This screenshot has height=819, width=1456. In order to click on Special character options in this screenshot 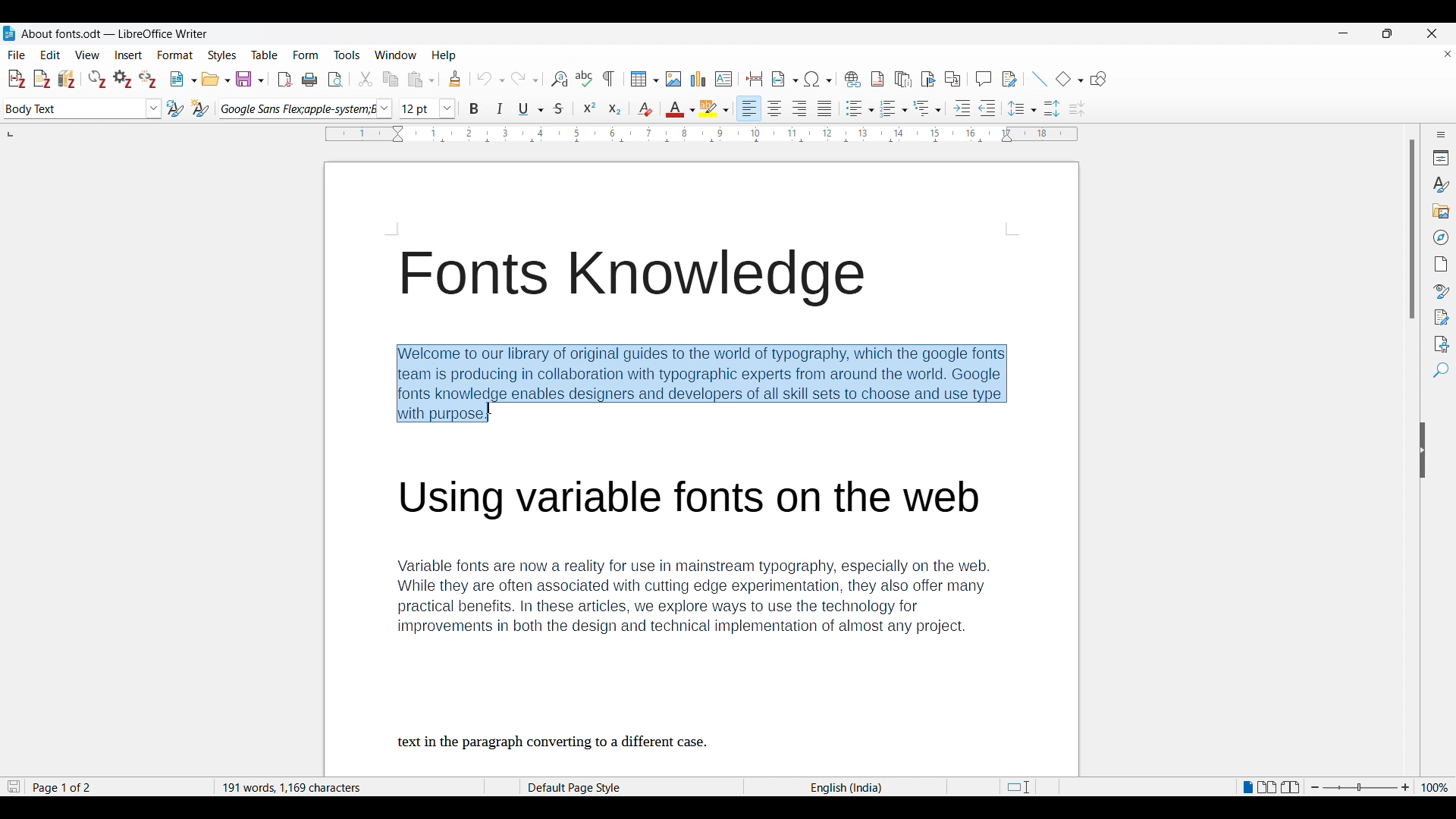, I will do `click(818, 79)`.